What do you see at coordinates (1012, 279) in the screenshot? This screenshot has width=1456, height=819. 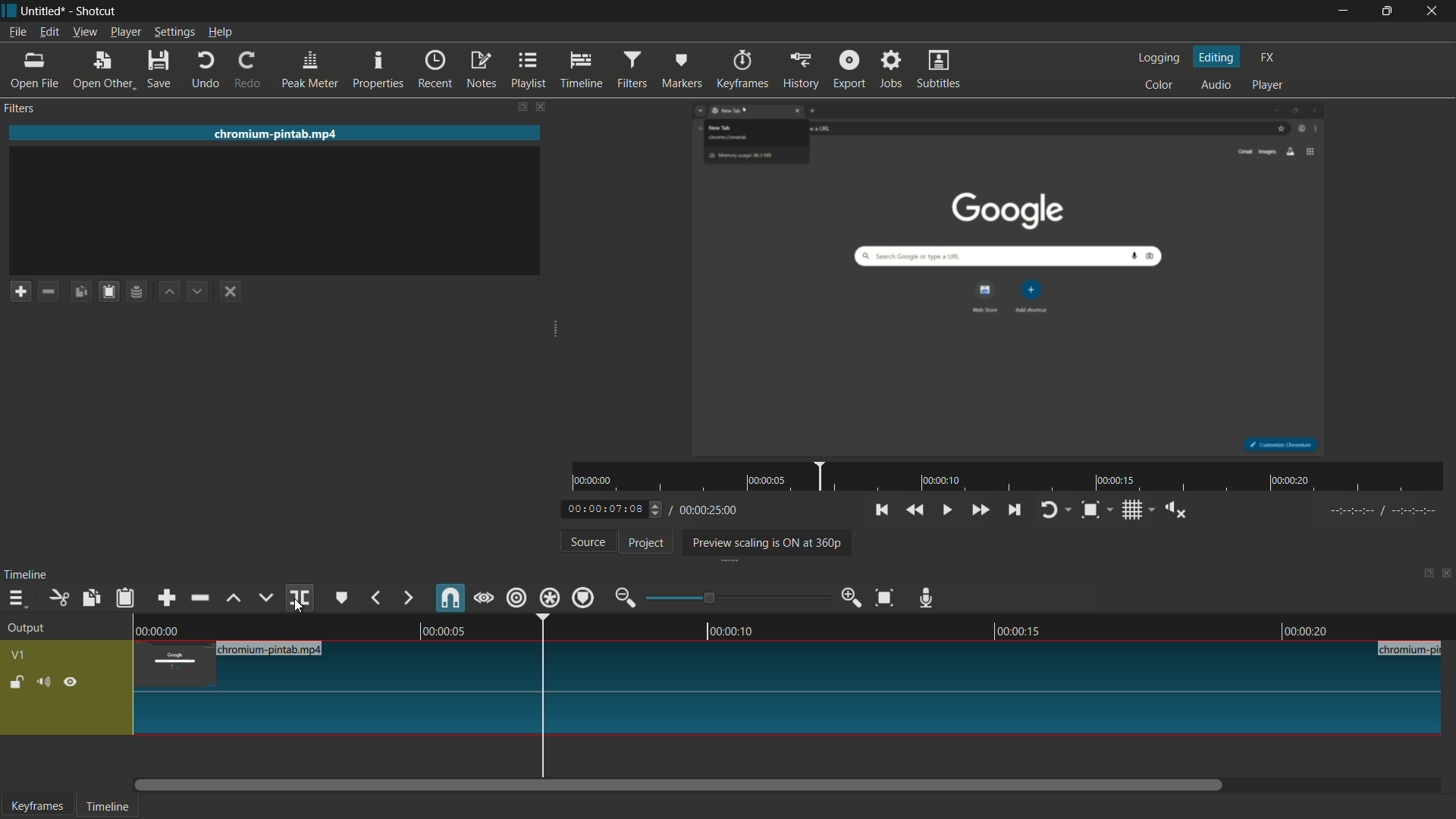 I see `preview video` at bounding box center [1012, 279].